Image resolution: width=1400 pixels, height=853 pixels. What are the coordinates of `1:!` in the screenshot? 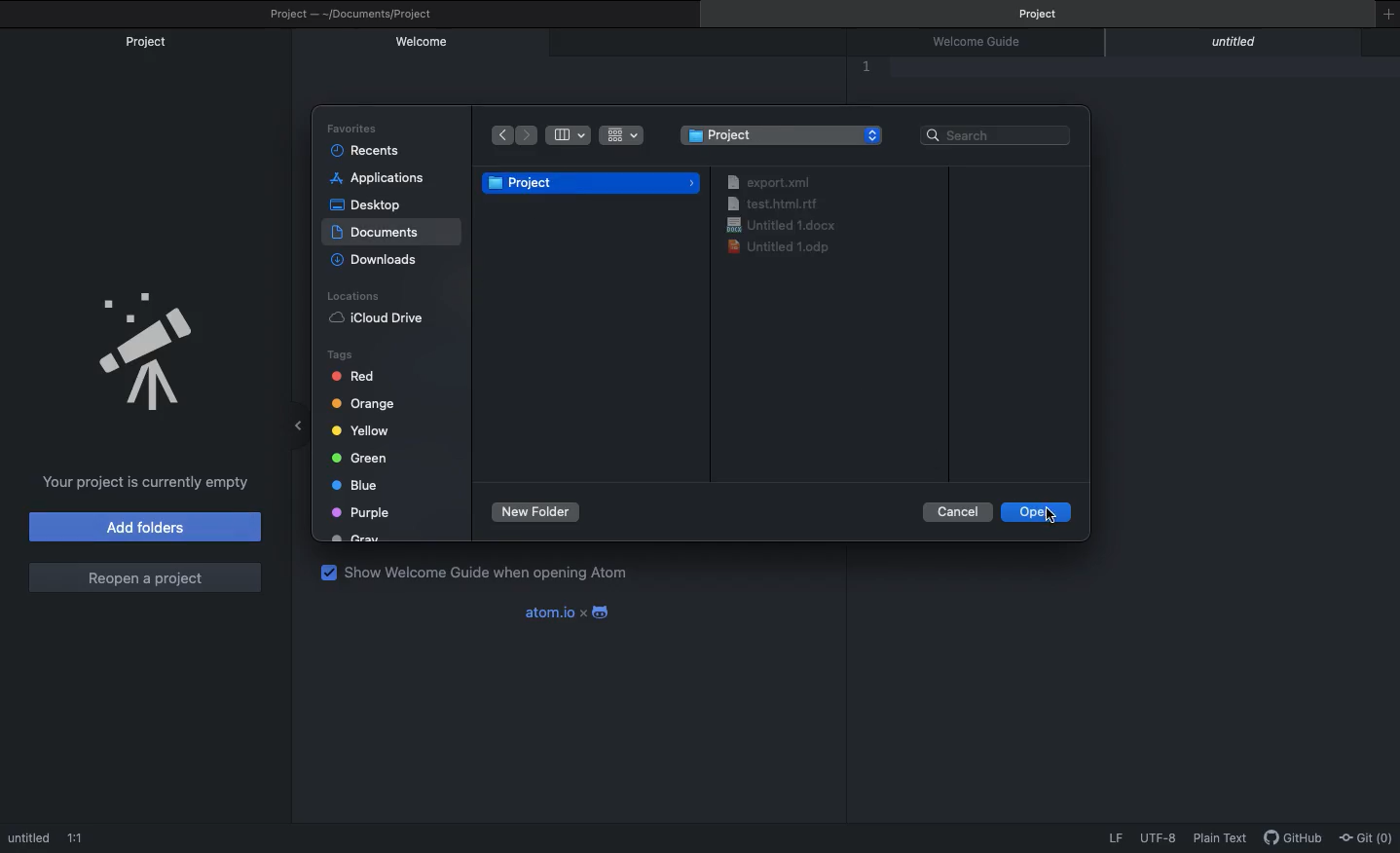 It's located at (79, 838).